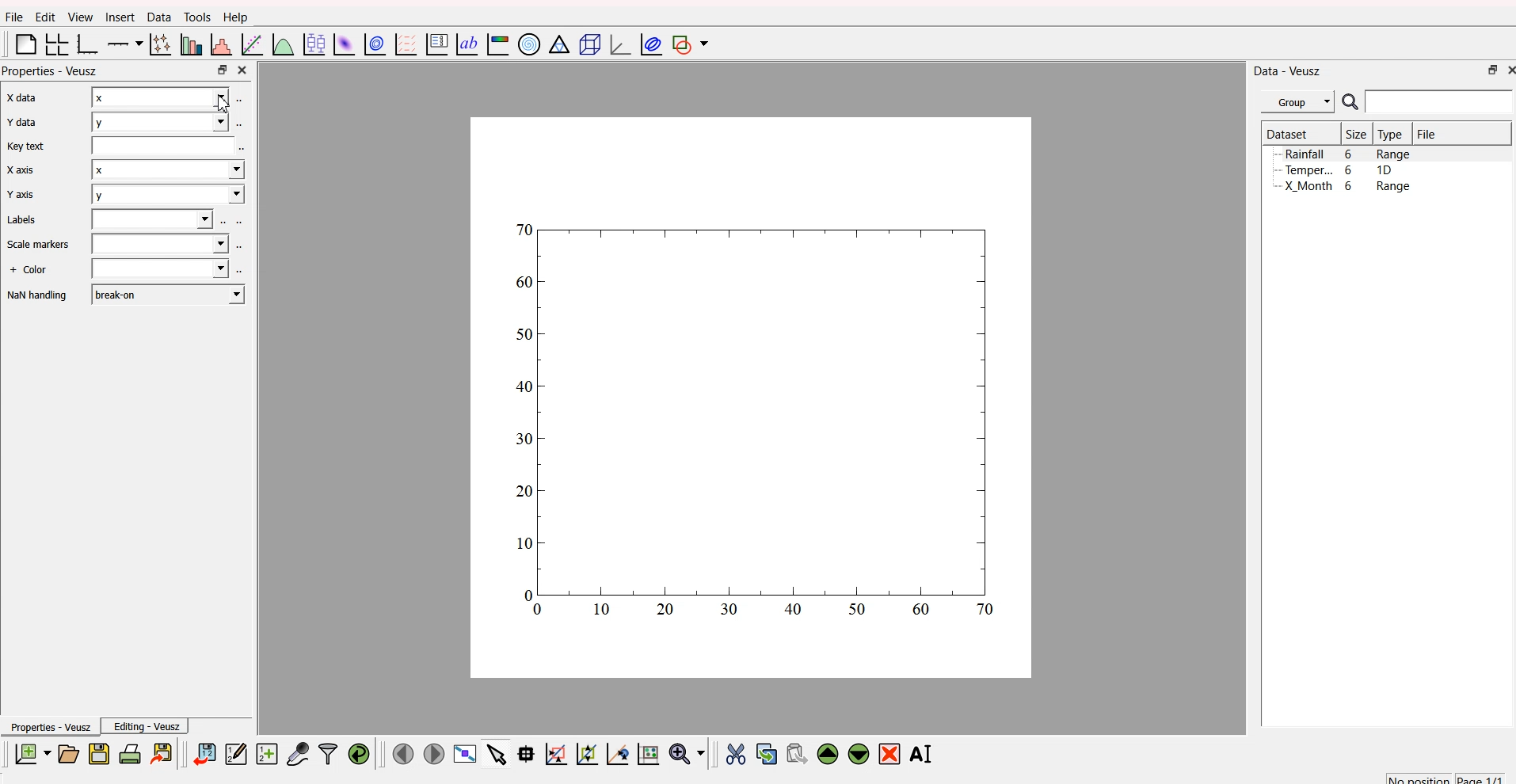 This screenshot has width=1516, height=784. Describe the element at coordinates (531, 42) in the screenshot. I see `polar graph` at that location.